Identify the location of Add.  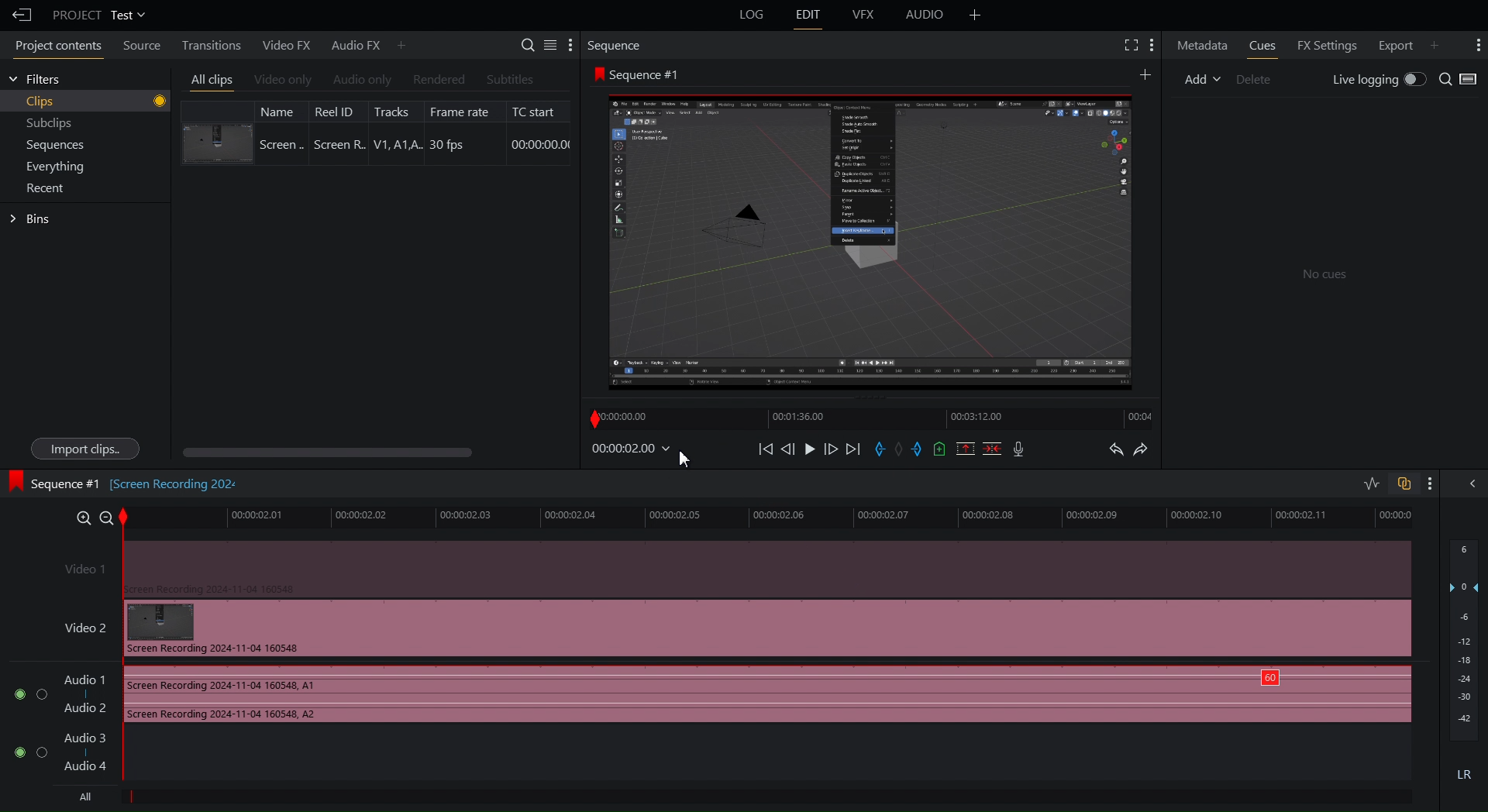
(1144, 74).